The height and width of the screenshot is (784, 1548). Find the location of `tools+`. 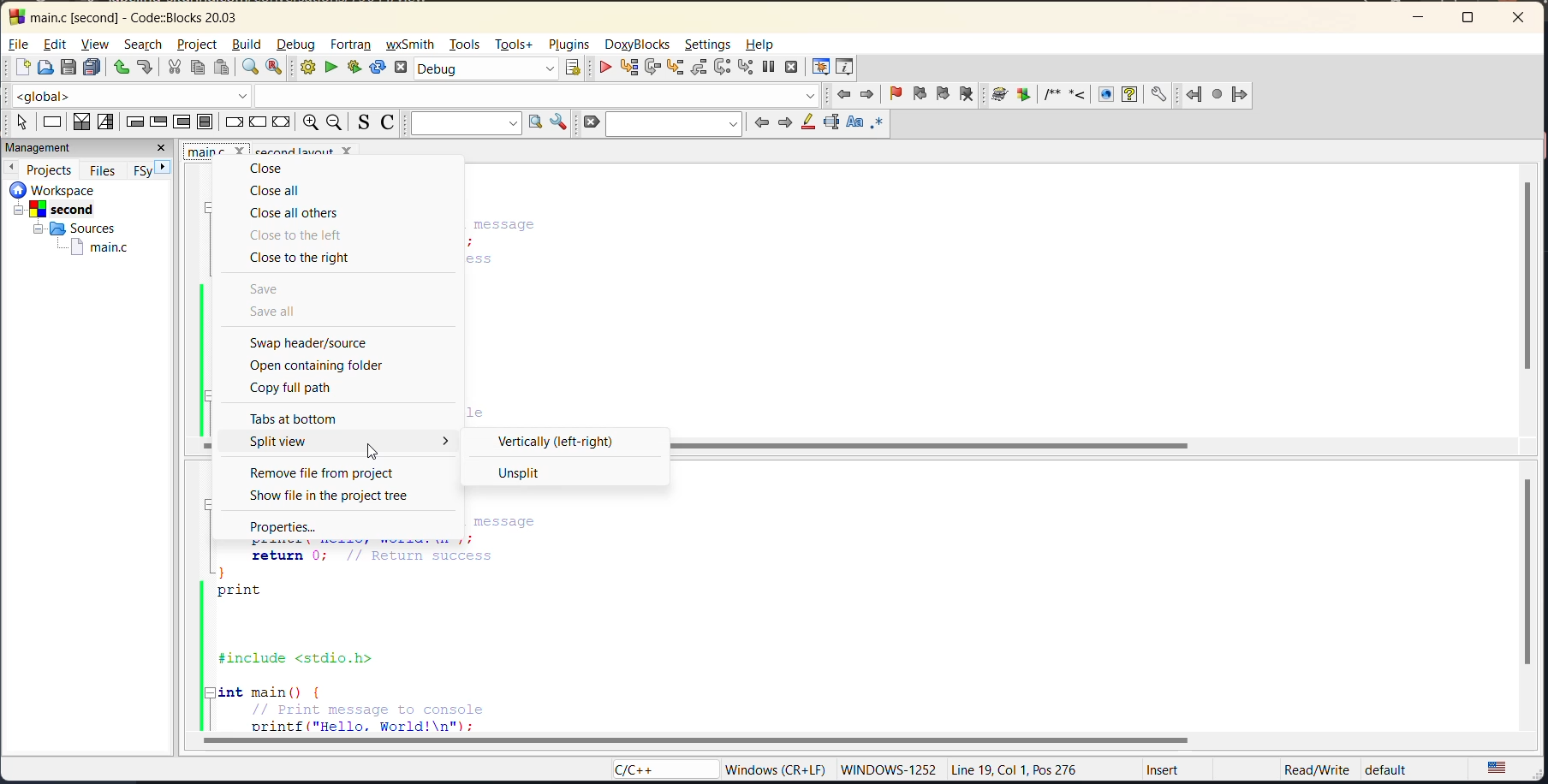

tools+ is located at coordinates (513, 45).